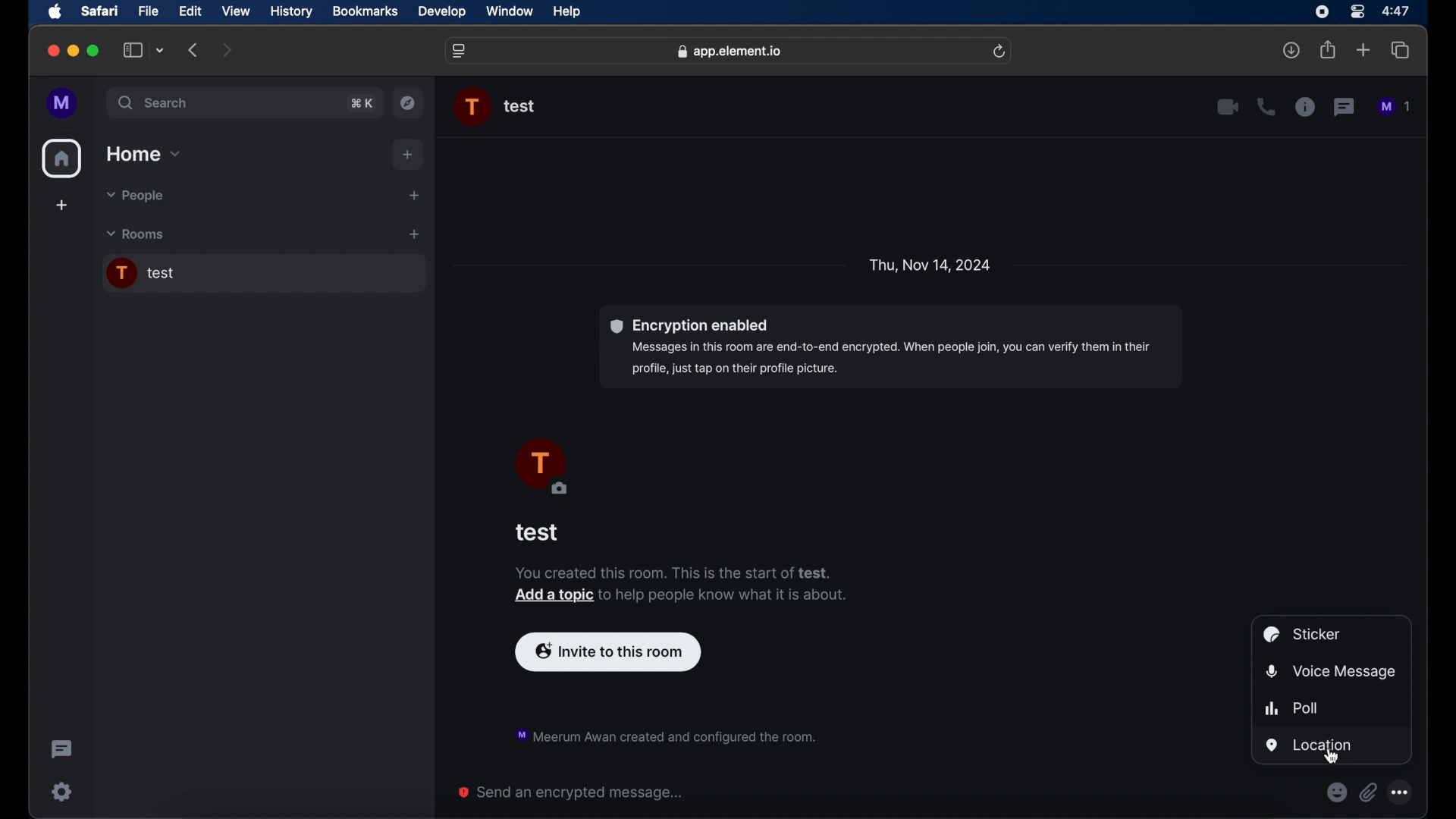 The width and height of the screenshot is (1456, 819). Describe the element at coordinates (1407, 789) in the screenshot. I see `Options` at that location.